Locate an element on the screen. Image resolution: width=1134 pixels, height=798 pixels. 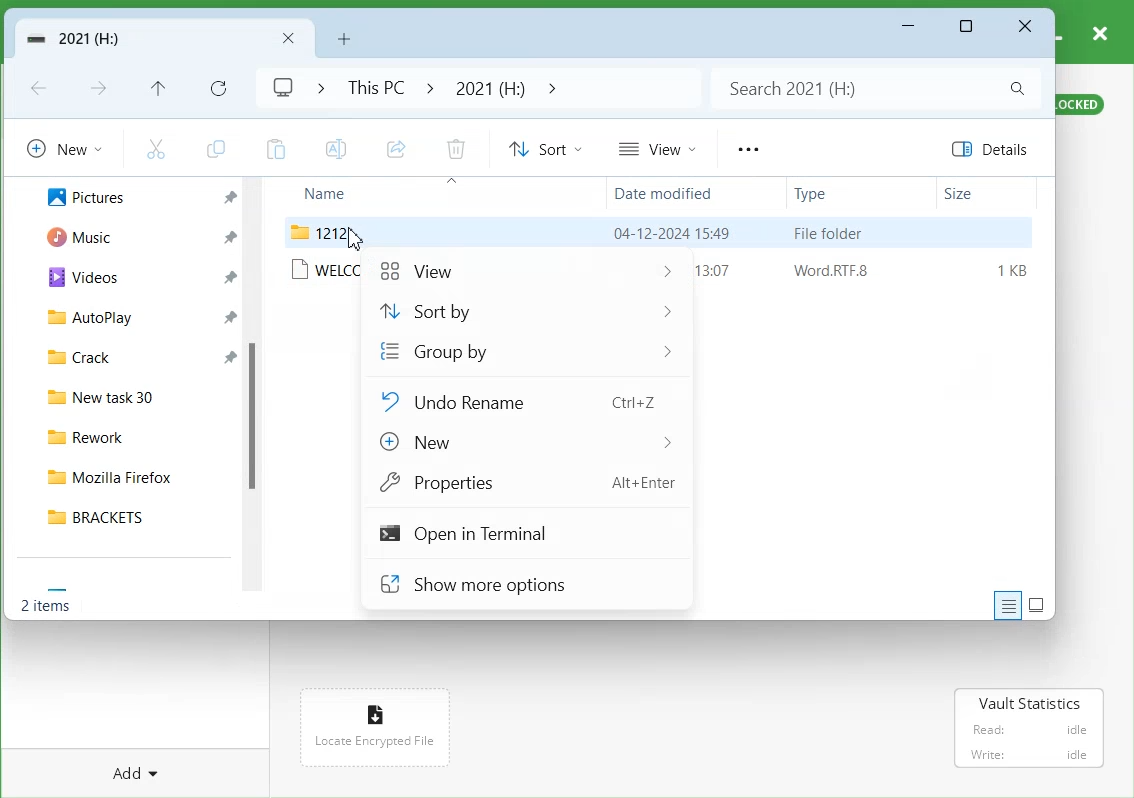
Details is located at coordinates (995, 149).